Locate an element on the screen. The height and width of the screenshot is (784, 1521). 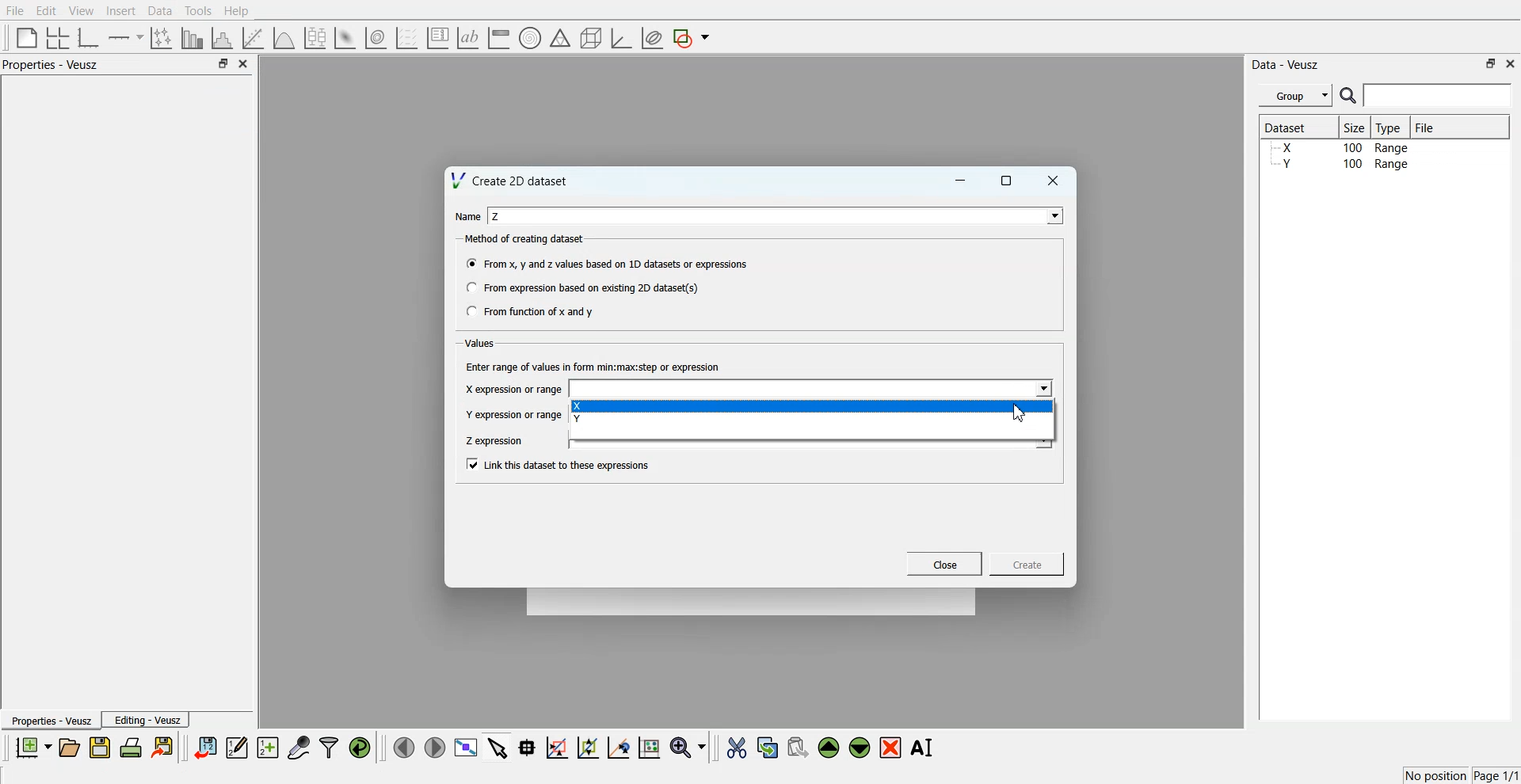
File is located at coordinates (15, 10).